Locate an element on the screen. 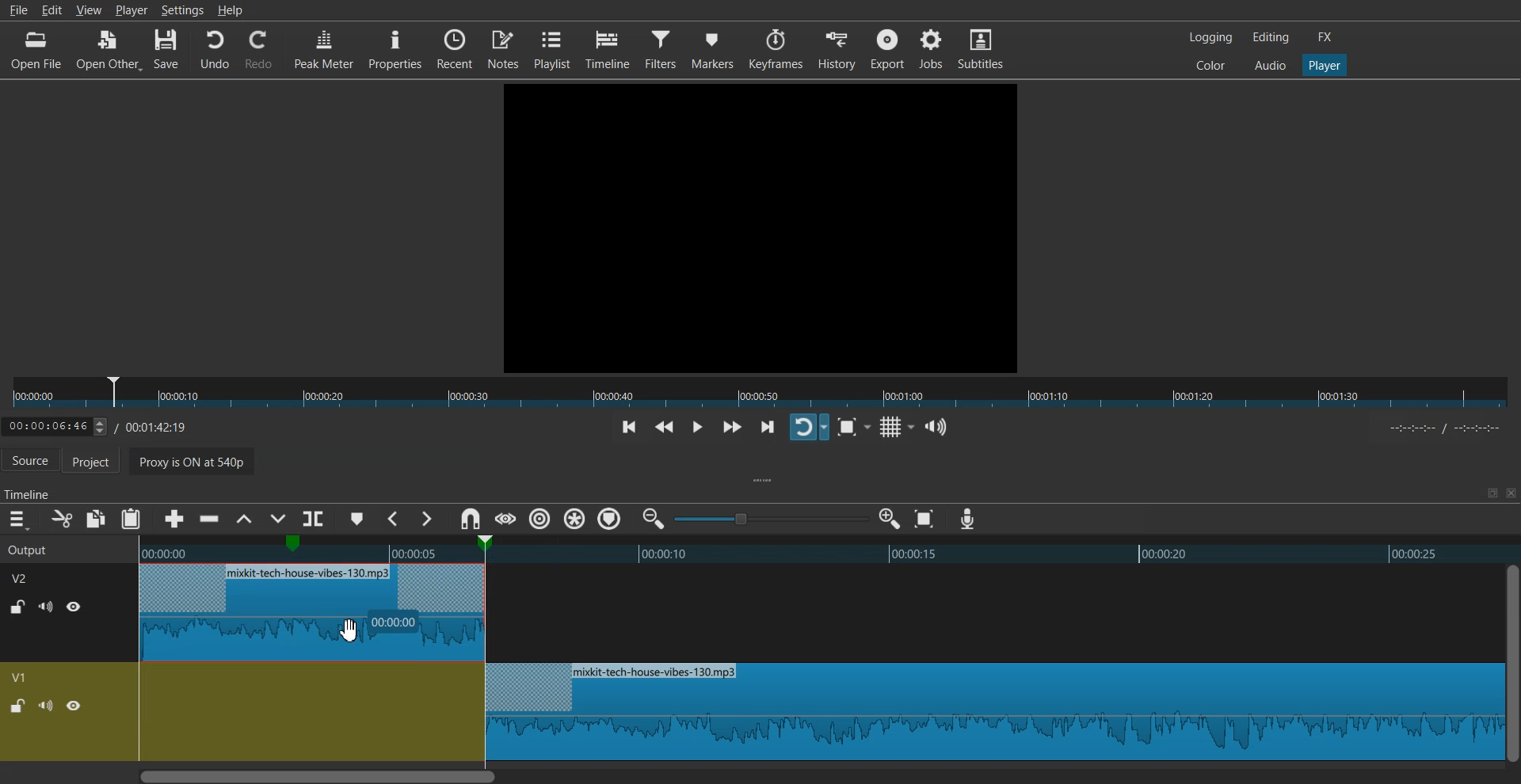 The height and width of the screenshot is (784, 1521). Timeline is located at coordinates (108, 424).